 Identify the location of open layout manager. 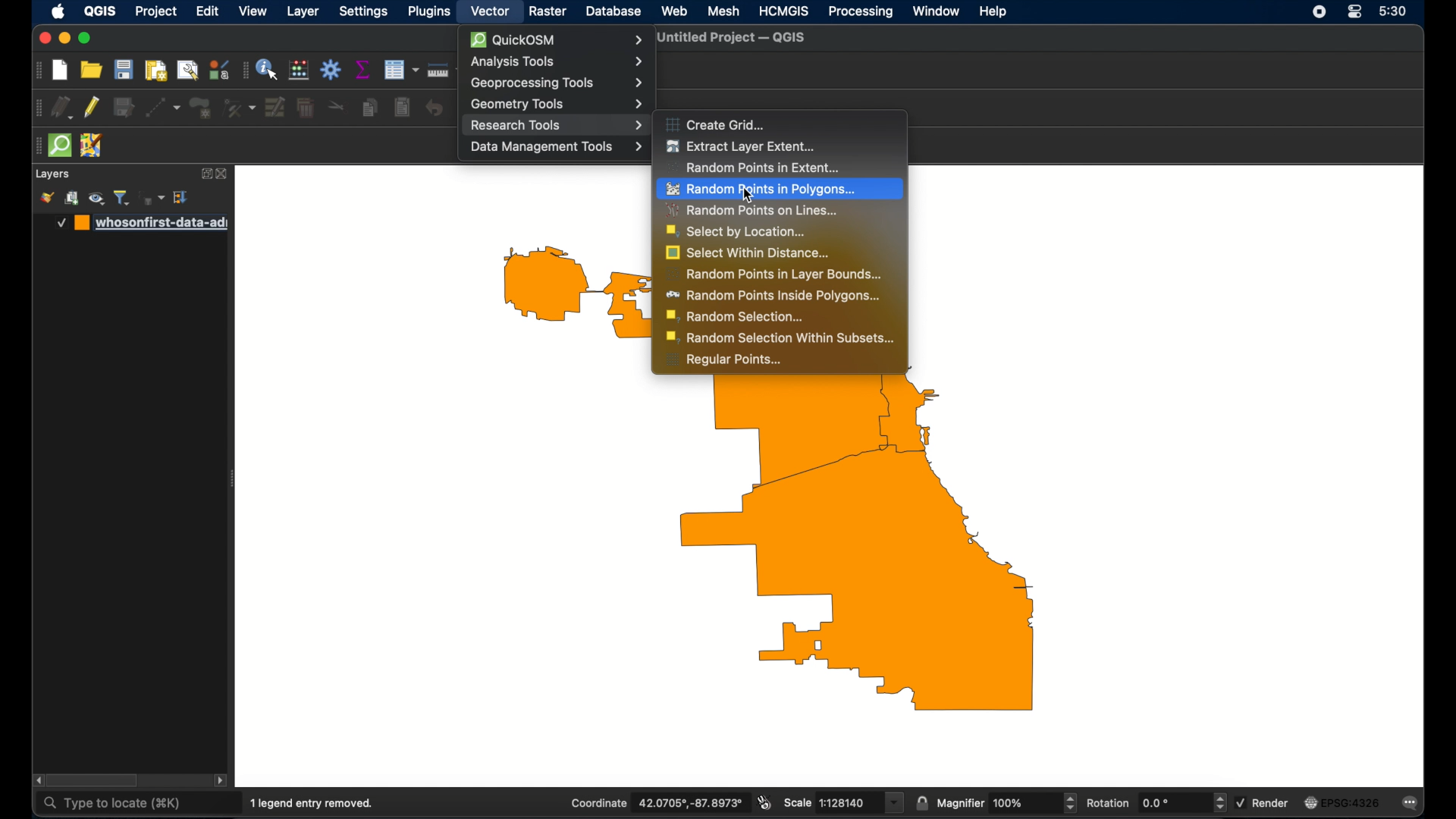
(188, 69).